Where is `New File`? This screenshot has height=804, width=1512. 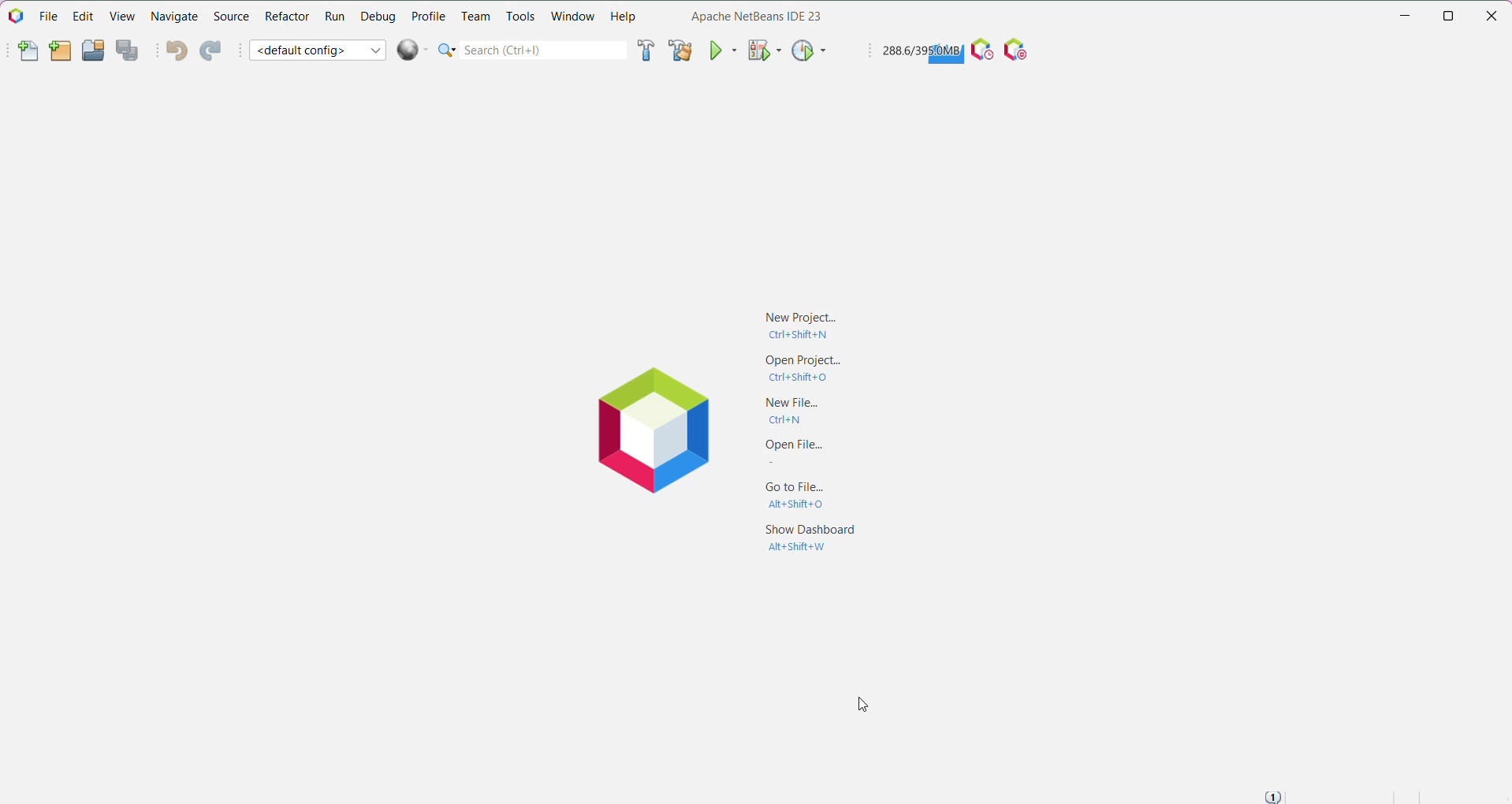 New File is located at coordinates (20, 52).